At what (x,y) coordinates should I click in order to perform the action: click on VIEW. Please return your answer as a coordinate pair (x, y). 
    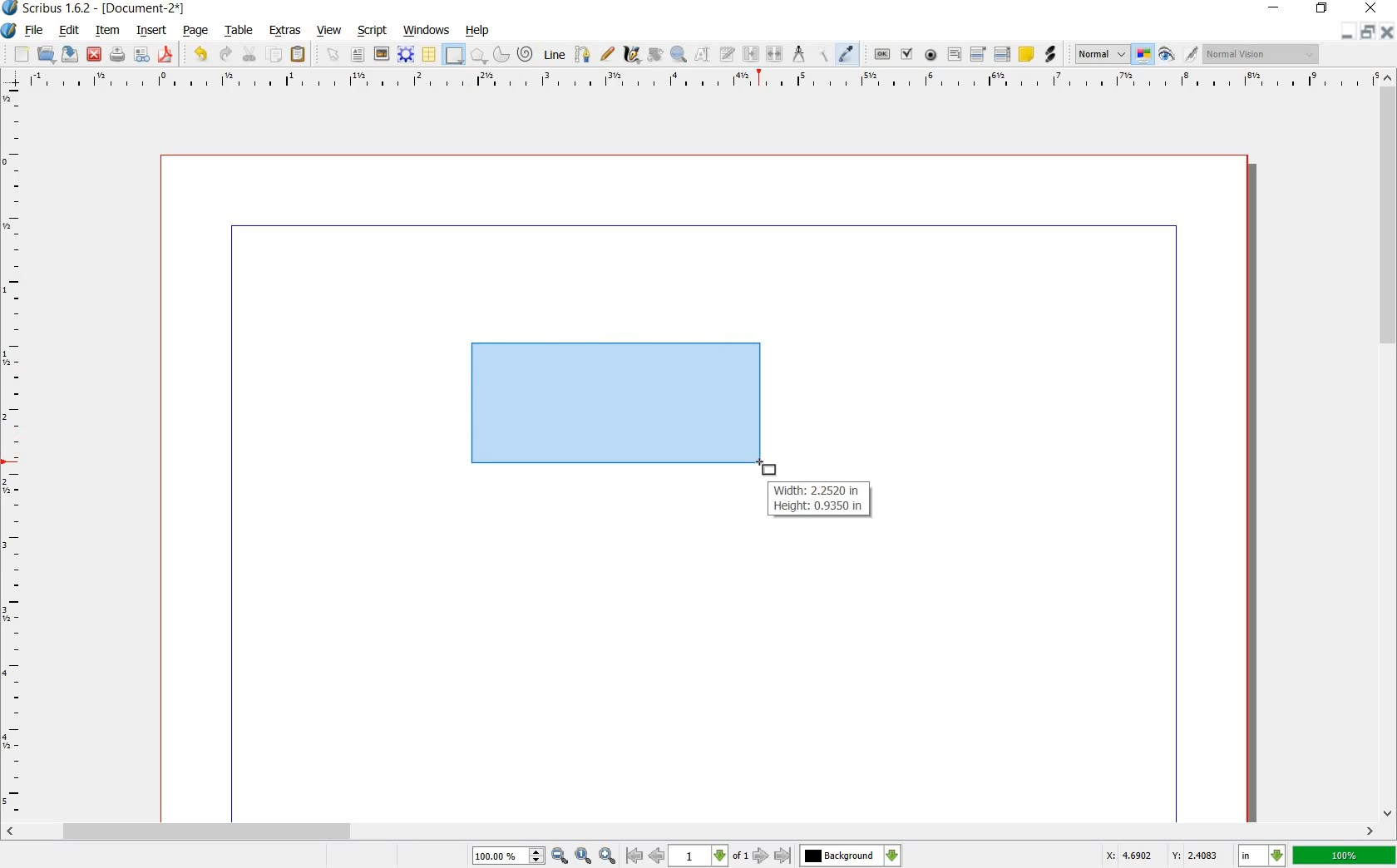
    Looking at the image, I should click on (328, 32).